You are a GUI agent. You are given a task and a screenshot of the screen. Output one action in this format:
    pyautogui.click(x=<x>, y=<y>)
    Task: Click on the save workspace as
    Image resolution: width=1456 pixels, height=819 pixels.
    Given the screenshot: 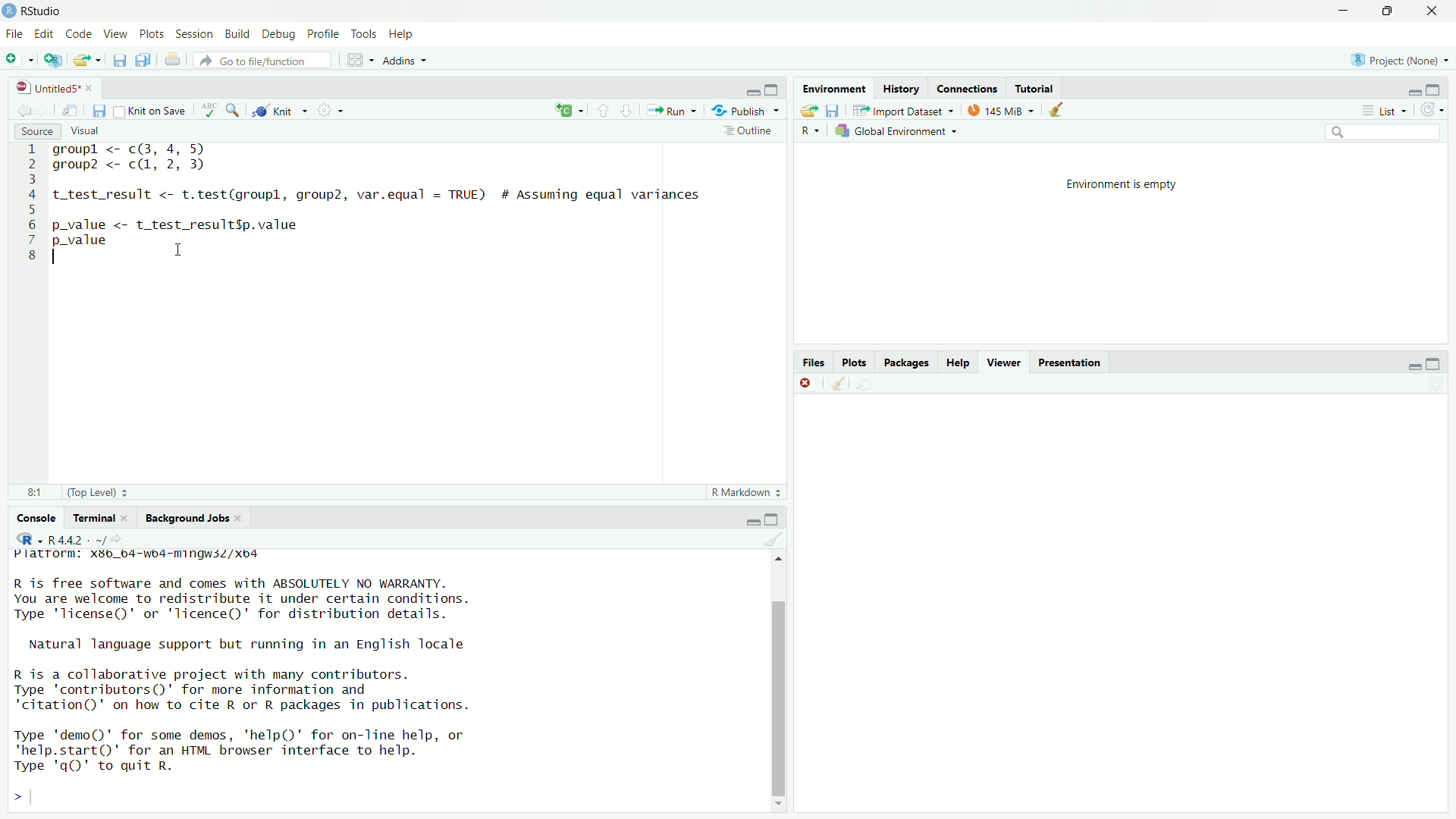 What is the action you would take?
    pyautogui.click(x=833, y=110)
    